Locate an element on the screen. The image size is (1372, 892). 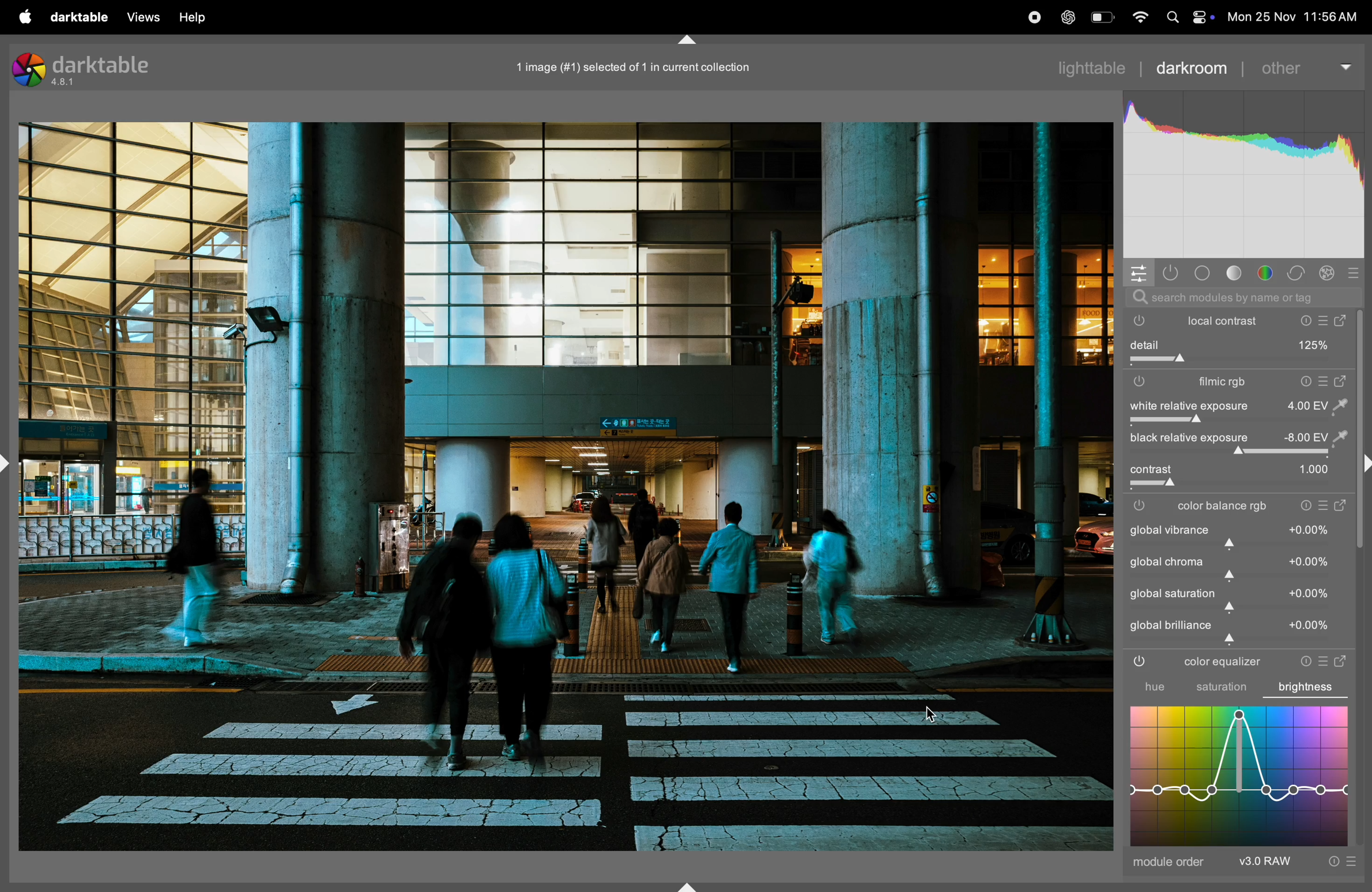
toggle  is located at coordinates (1234, 360).